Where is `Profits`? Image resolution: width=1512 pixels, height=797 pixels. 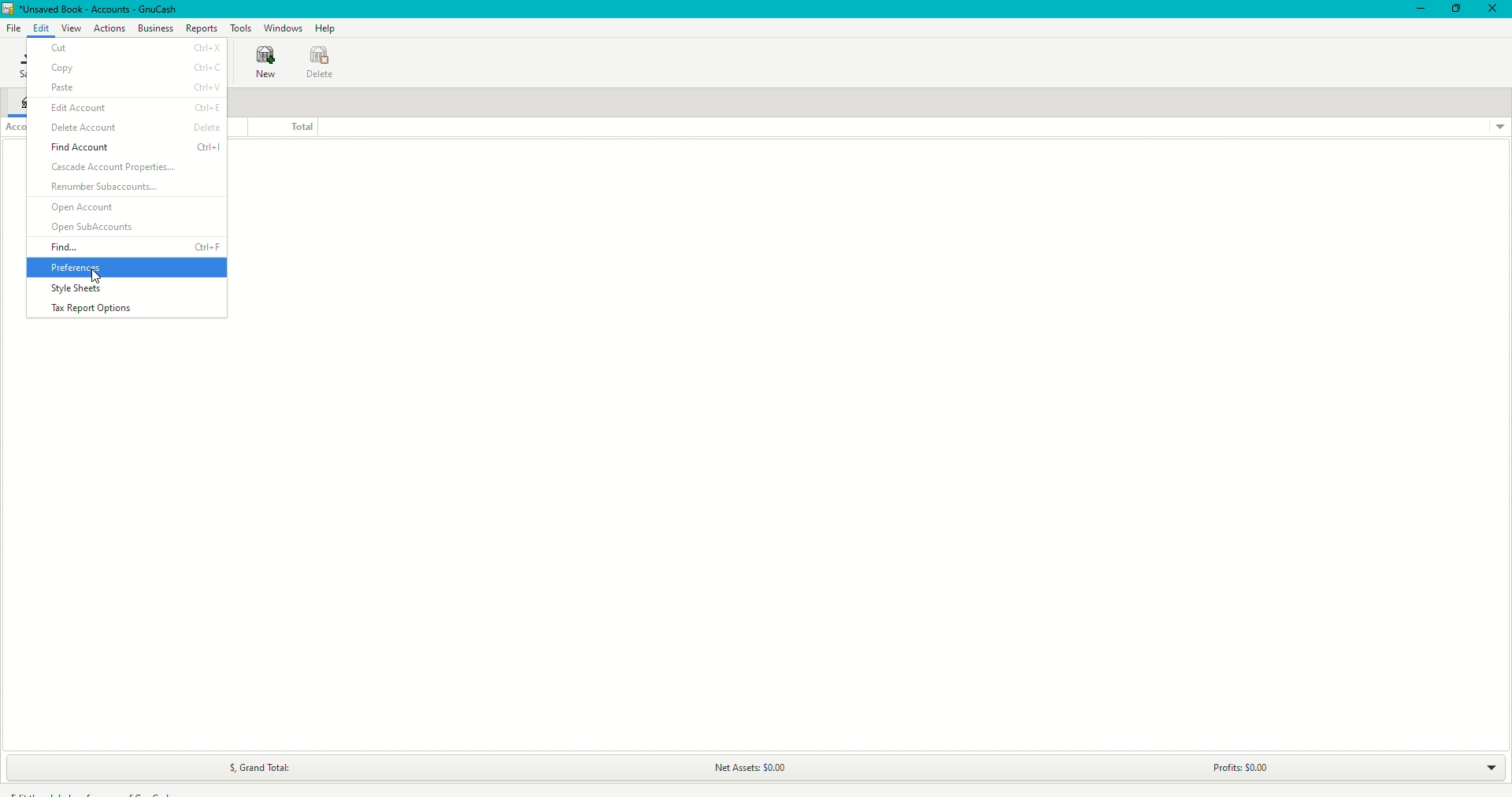 Profits is located at coordinates (1232, 768).